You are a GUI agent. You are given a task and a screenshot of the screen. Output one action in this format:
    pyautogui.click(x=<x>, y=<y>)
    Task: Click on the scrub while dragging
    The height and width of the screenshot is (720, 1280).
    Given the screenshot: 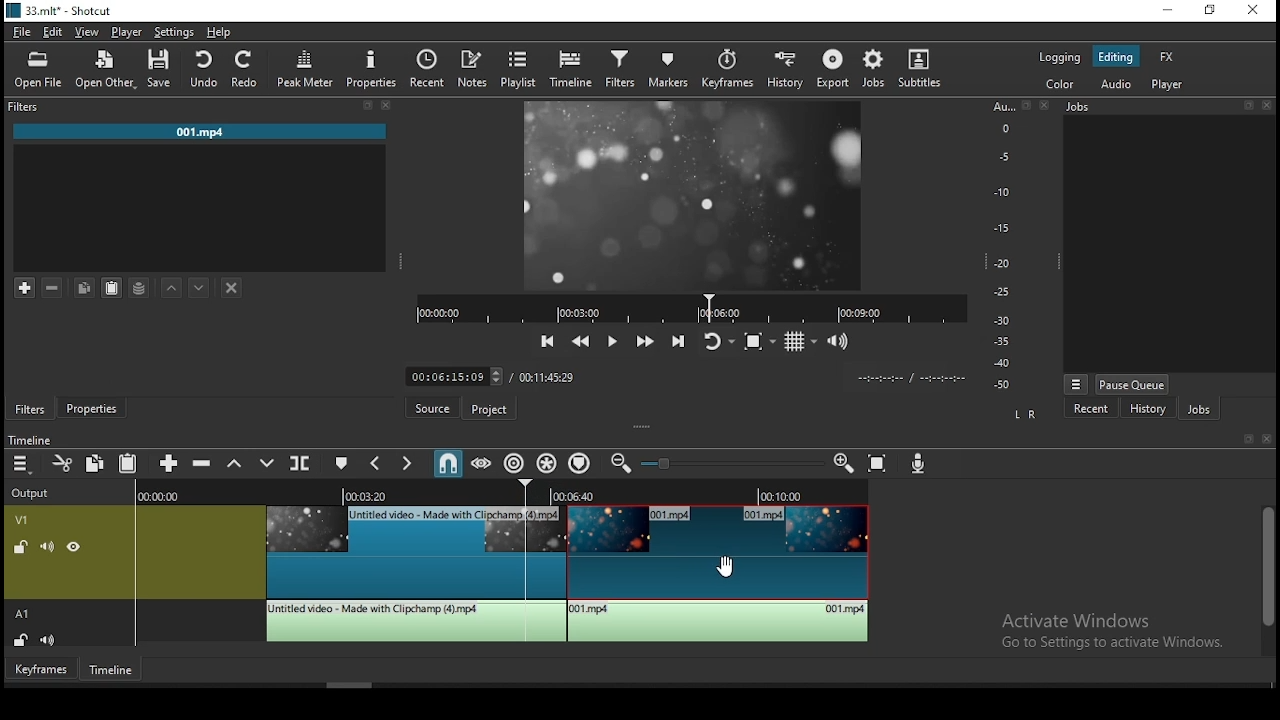 What is the action you would take?
    pyautogui.click(x=480, y=463)
    